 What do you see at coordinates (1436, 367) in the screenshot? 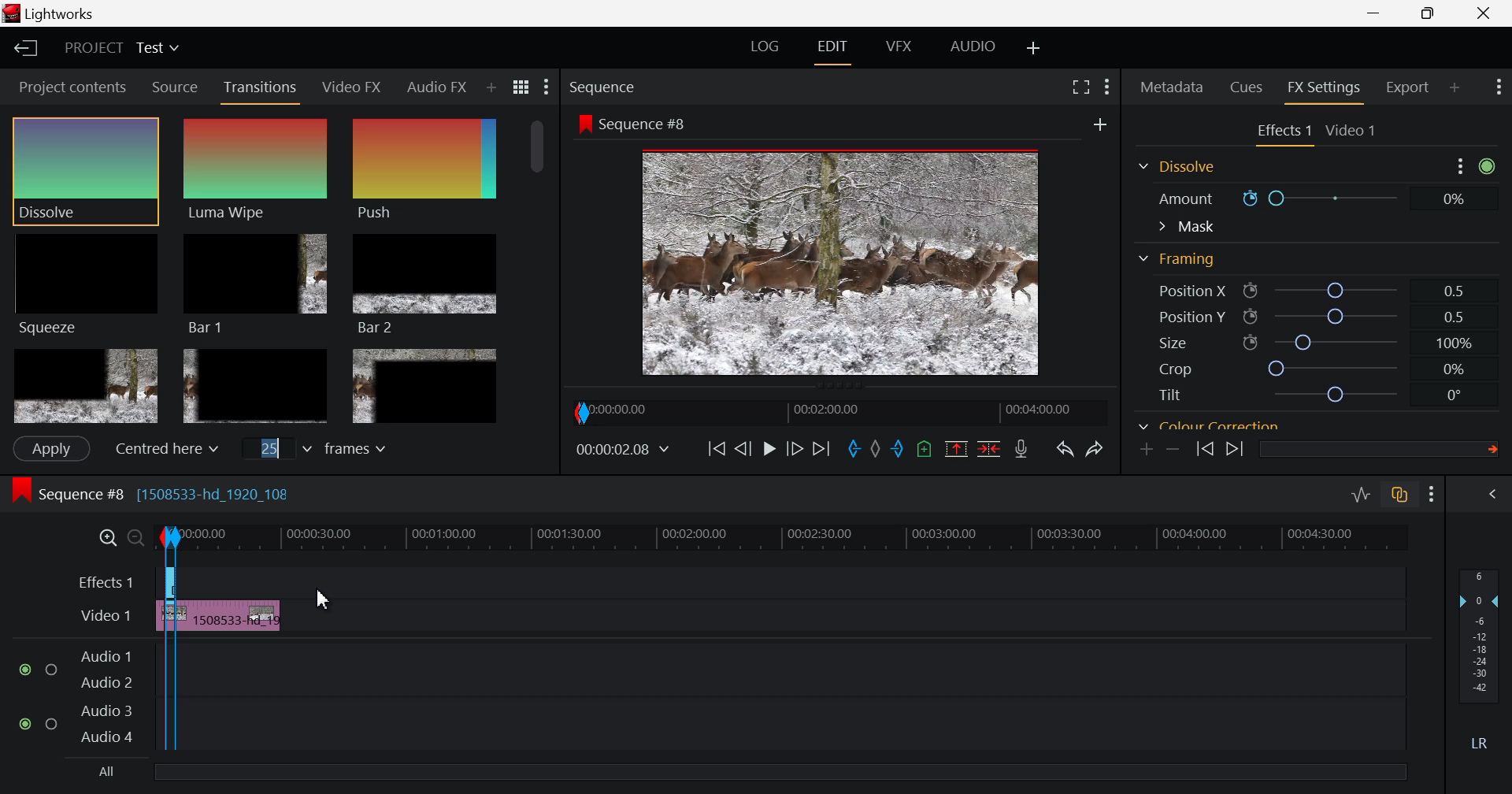
I see `Curves` at bounding box center [1436, 367].